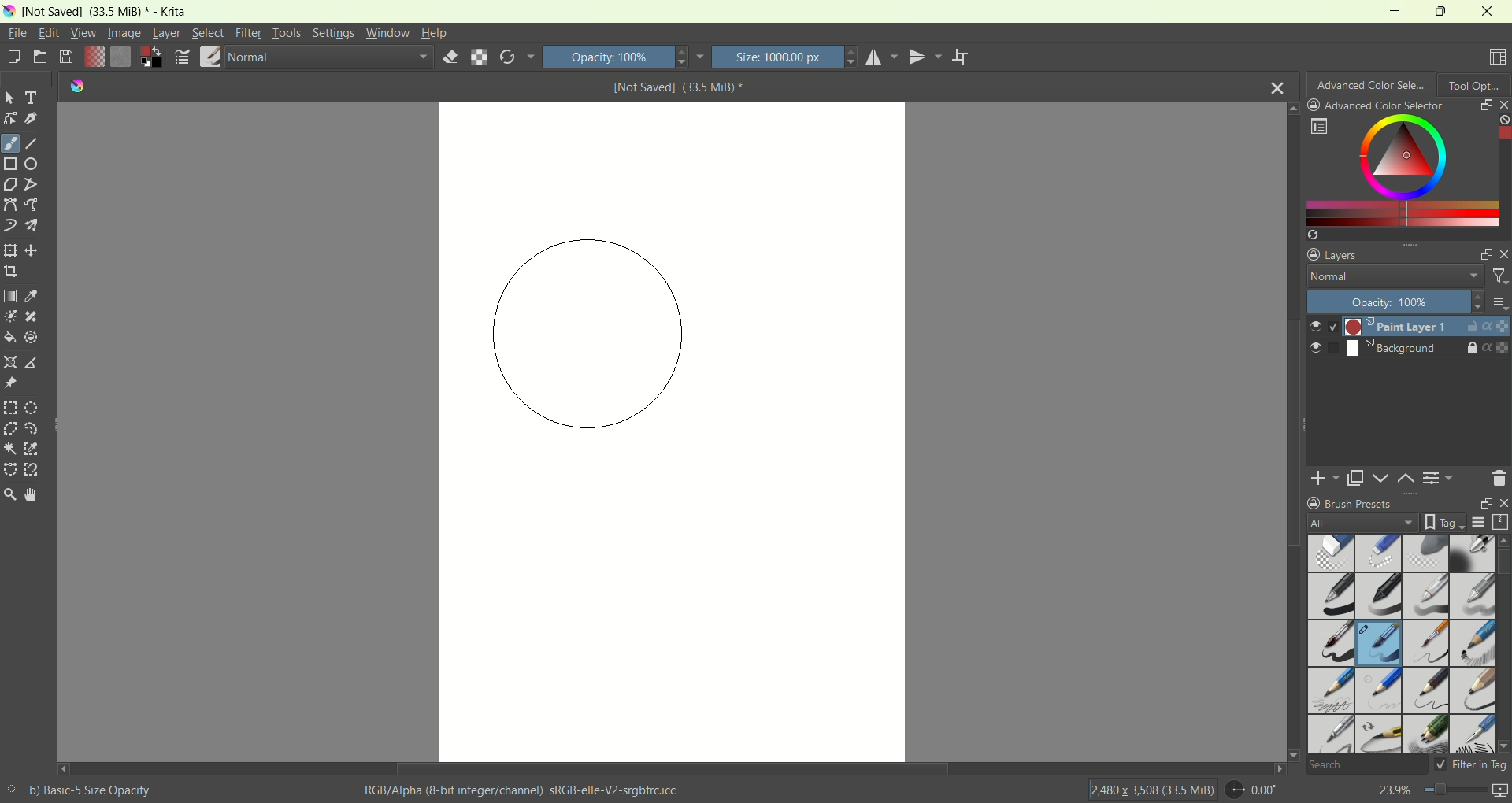  I want to click on reload, so click(517, 57).